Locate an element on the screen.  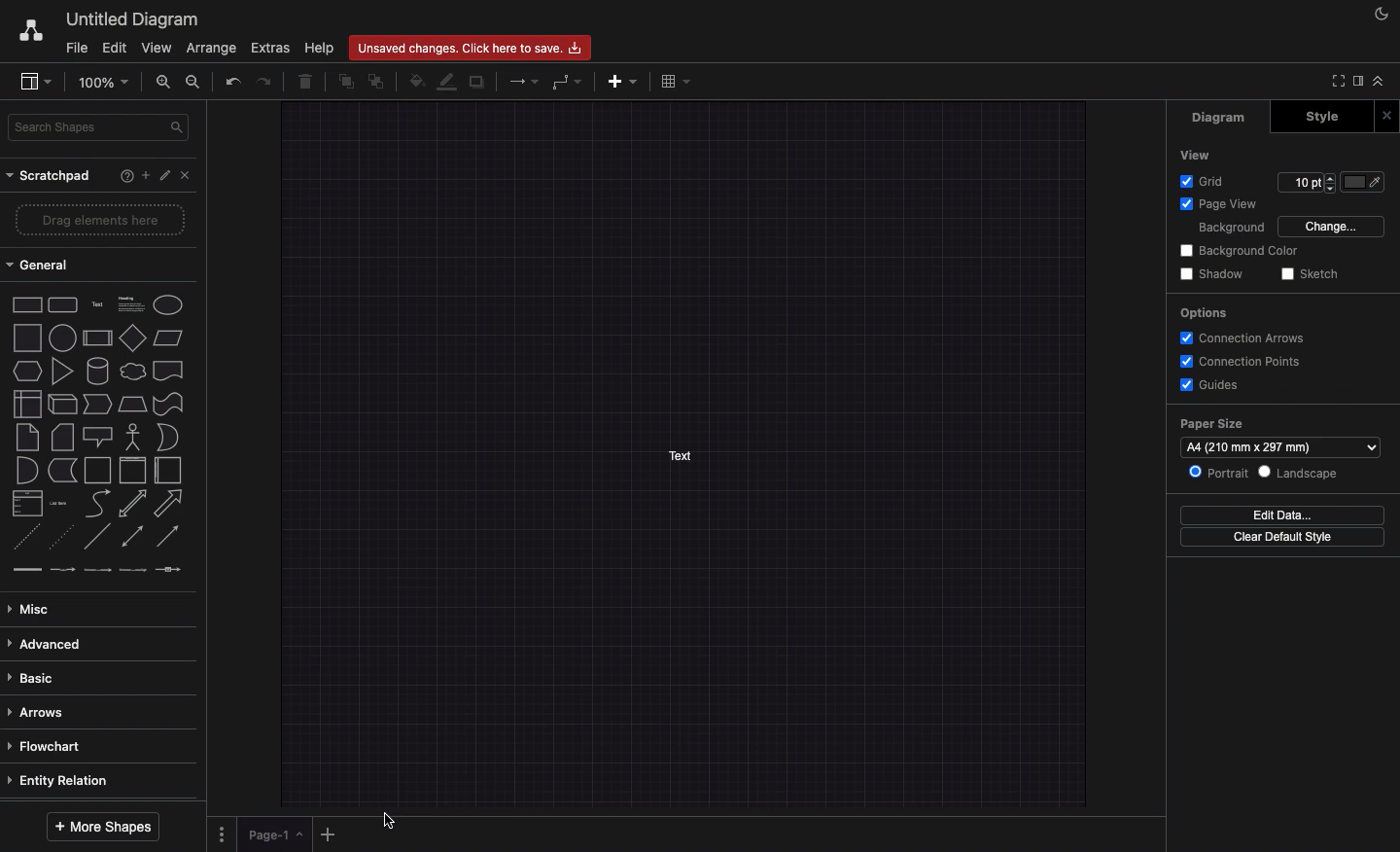
Undo is located at coordinates (234, 81).